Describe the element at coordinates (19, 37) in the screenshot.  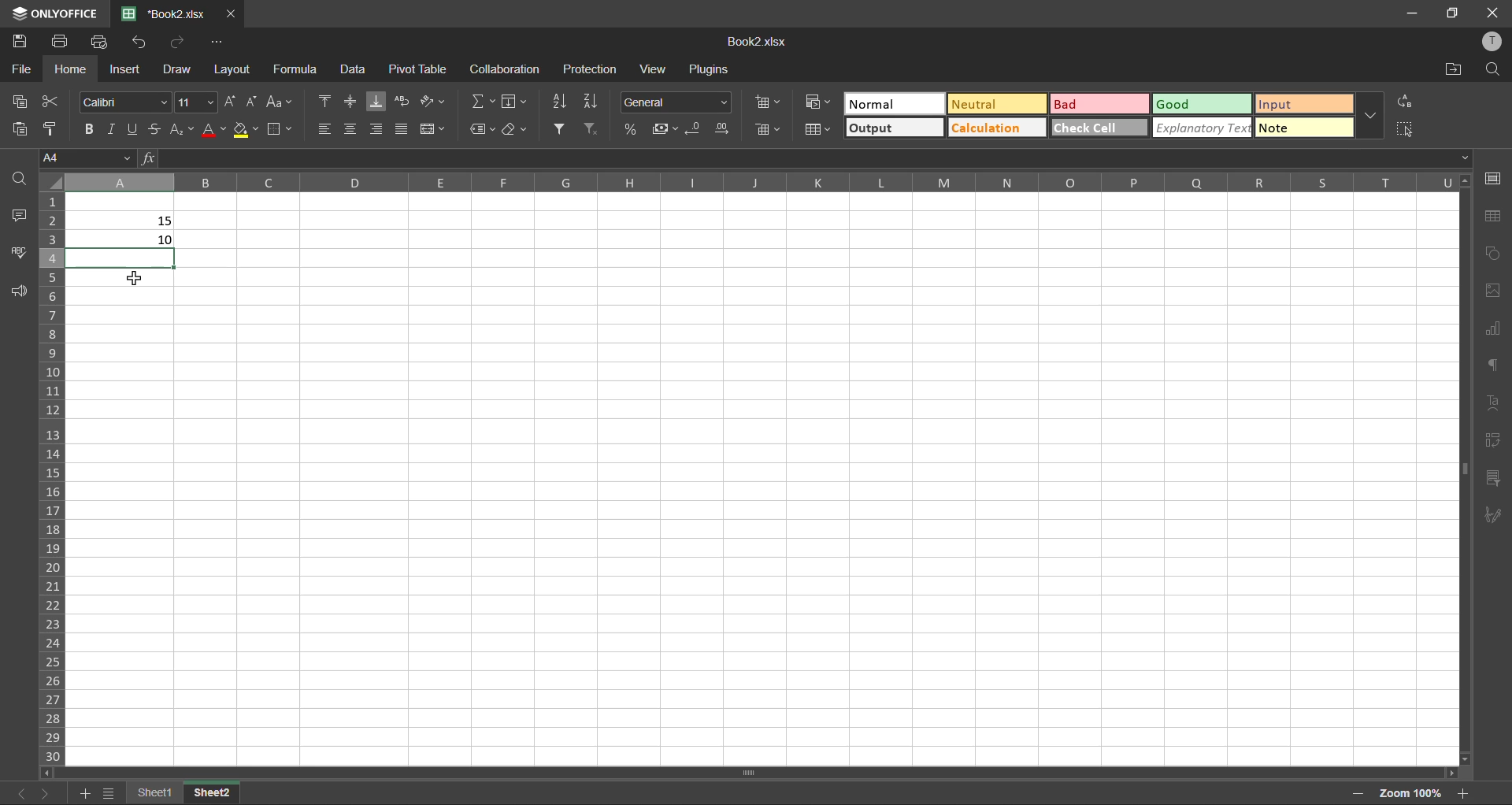
I see `save` at that location.